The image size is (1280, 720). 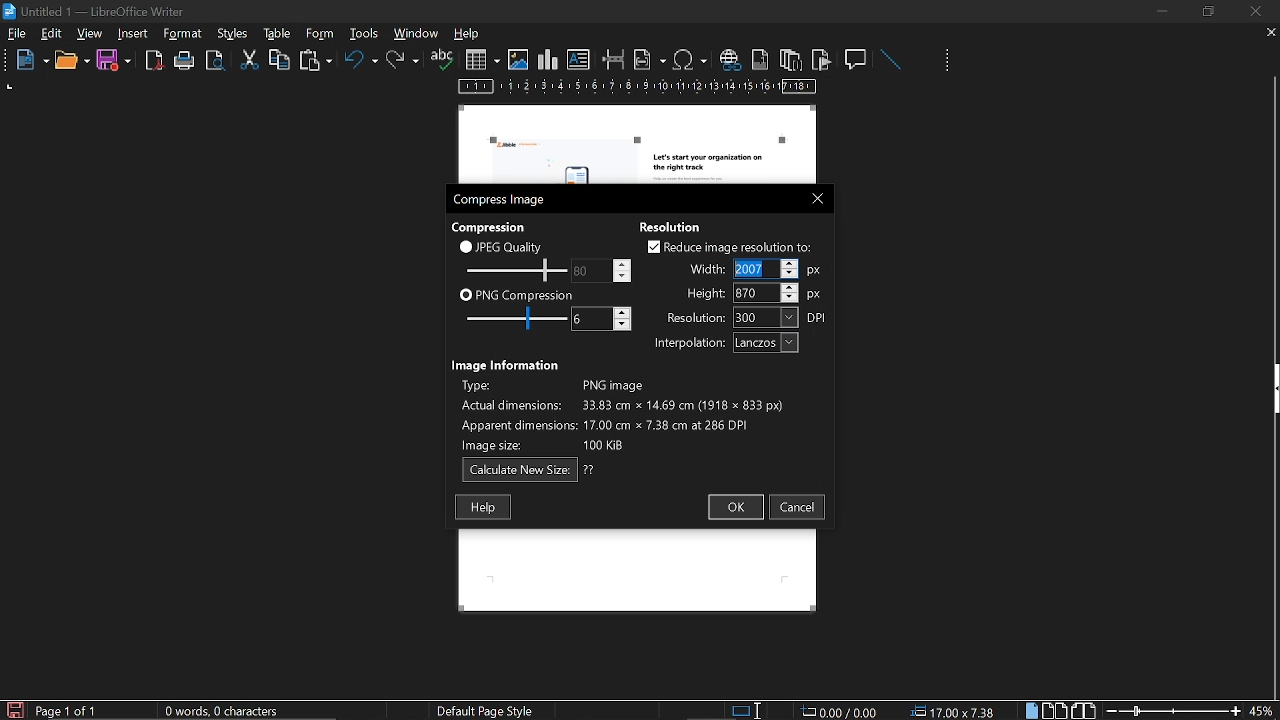 I want to click on multiple page view, so click(x=1055, y=711).